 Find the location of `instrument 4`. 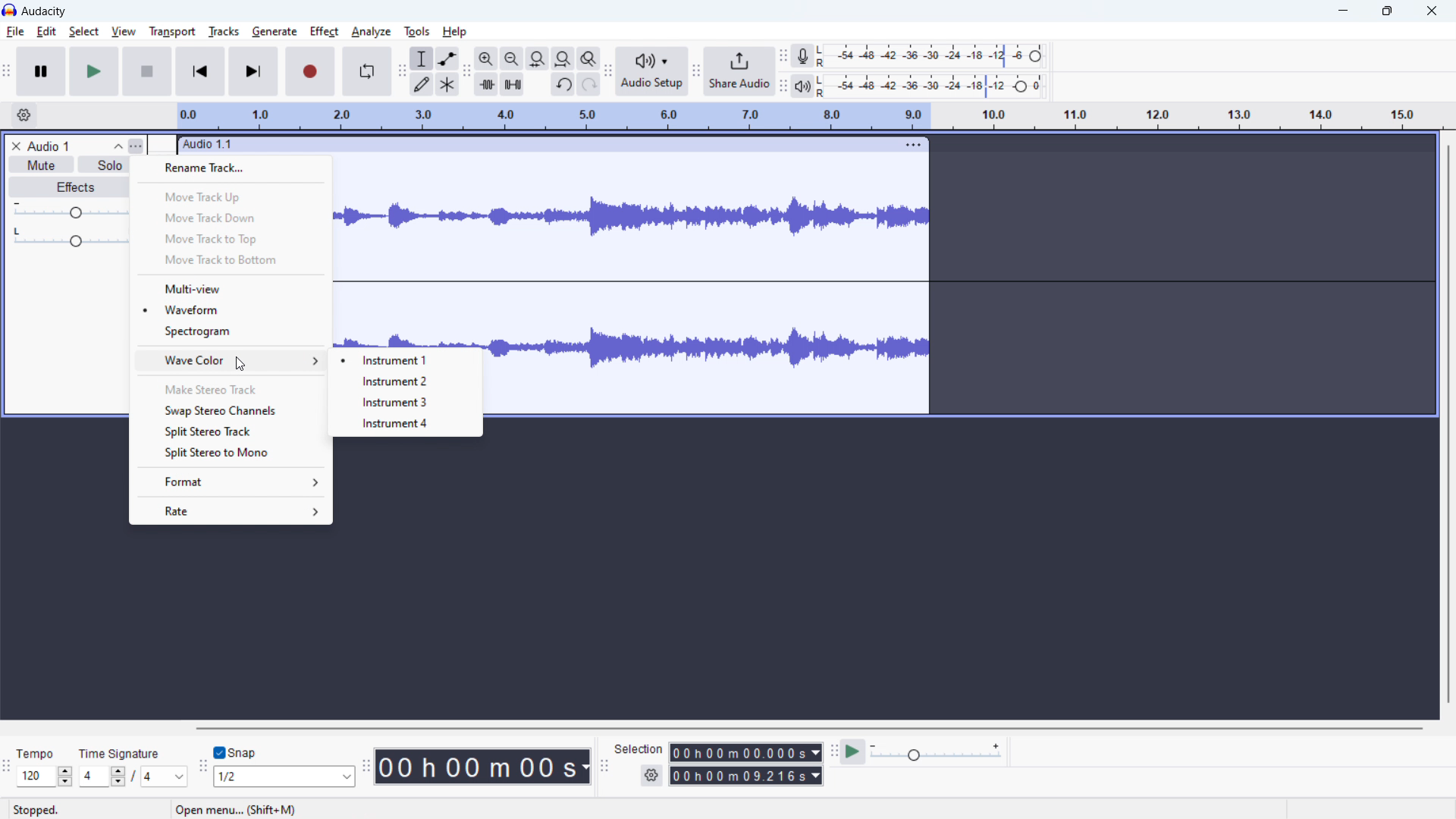

instrument 4 is located at coordinates (406, 425).